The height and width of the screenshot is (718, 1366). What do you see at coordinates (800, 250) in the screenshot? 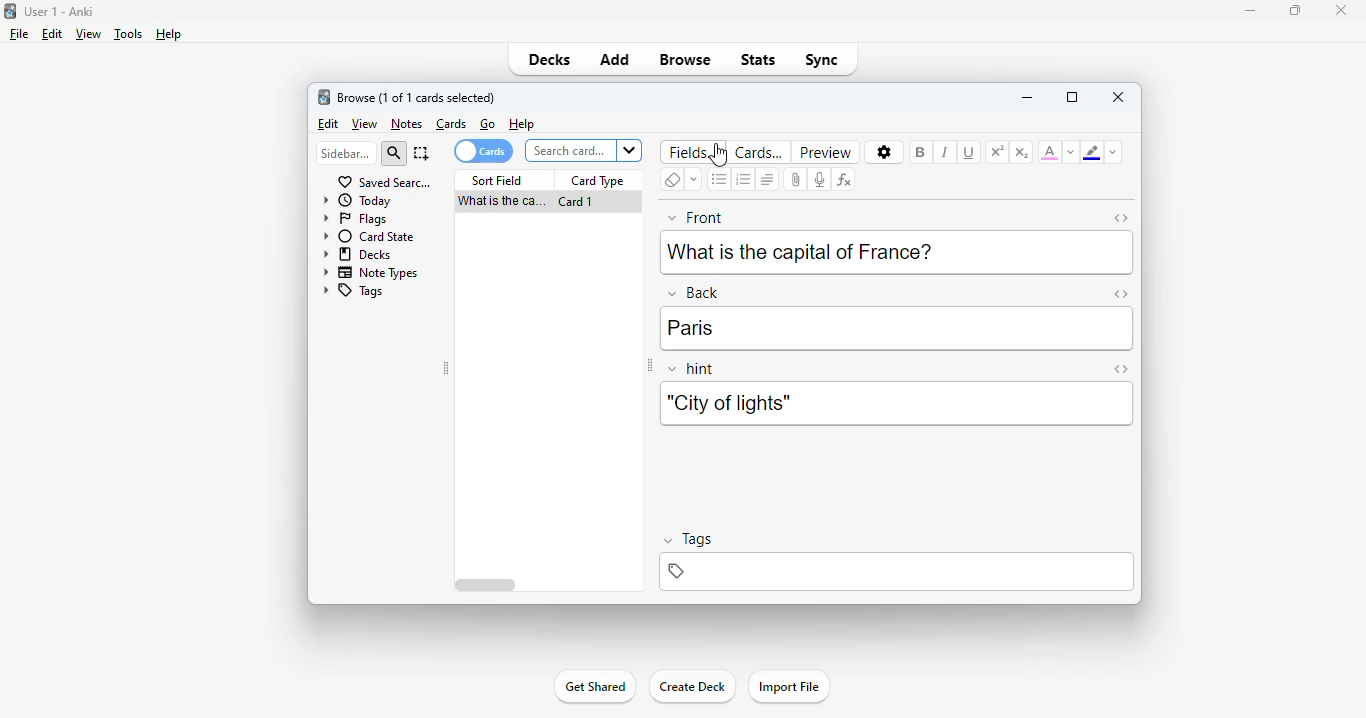
I see `what is the capital of France?` at bounding box center [800, 250].